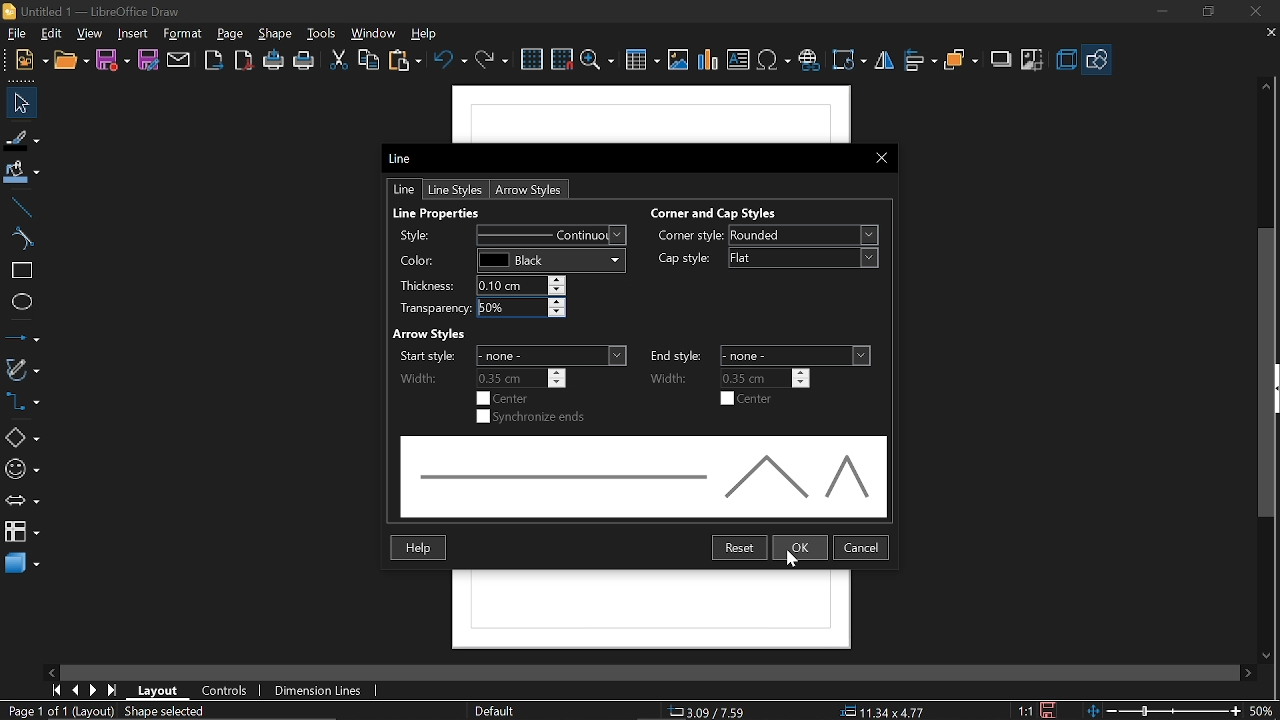 The width and height of the screenshot is (1280, 720). What do you see at coordinates (800, 548) in the screenshot?
I see `Ok` at bounding box center [800, 548].